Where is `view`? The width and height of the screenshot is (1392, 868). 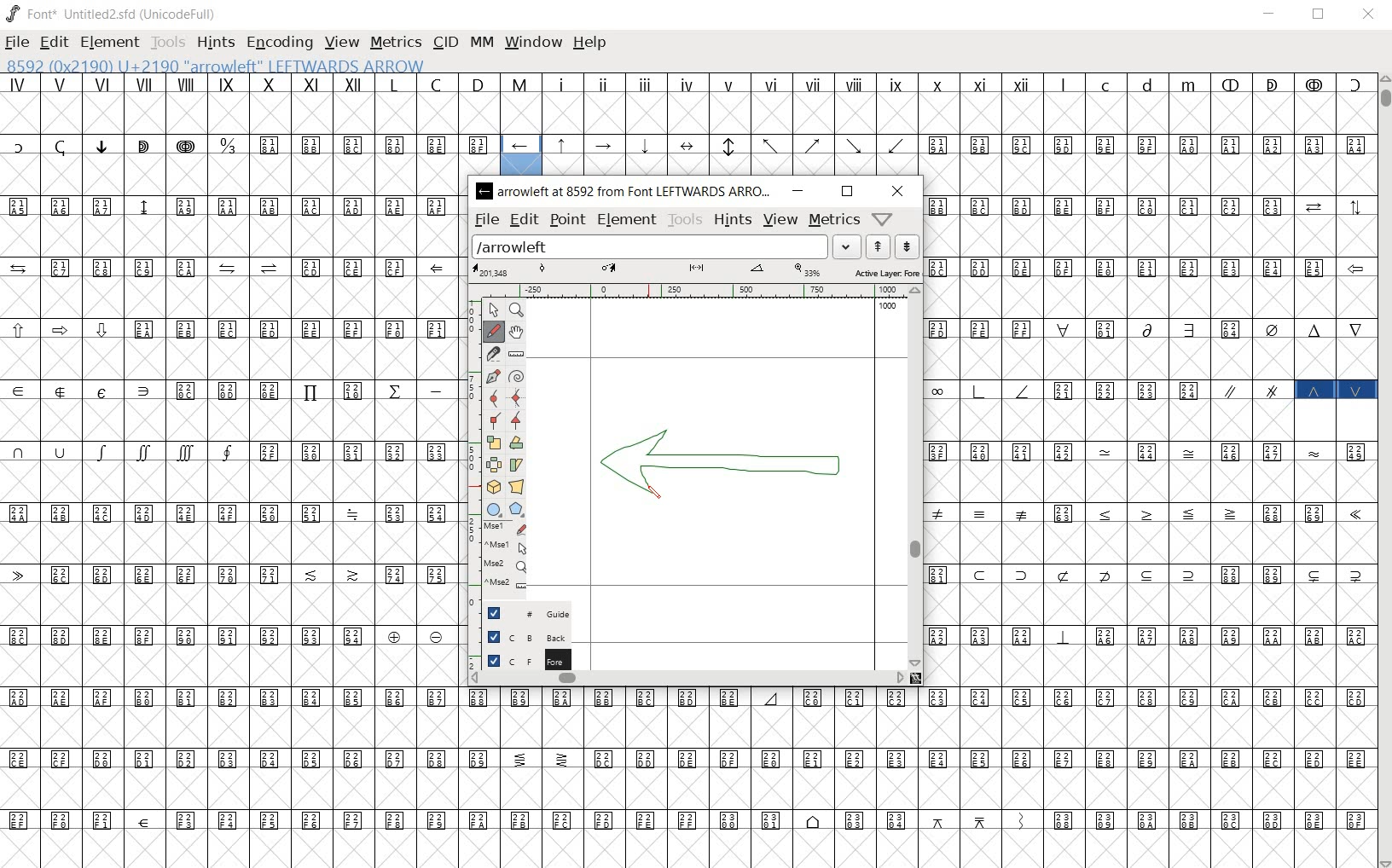
view is located at coordinates (343, 42).